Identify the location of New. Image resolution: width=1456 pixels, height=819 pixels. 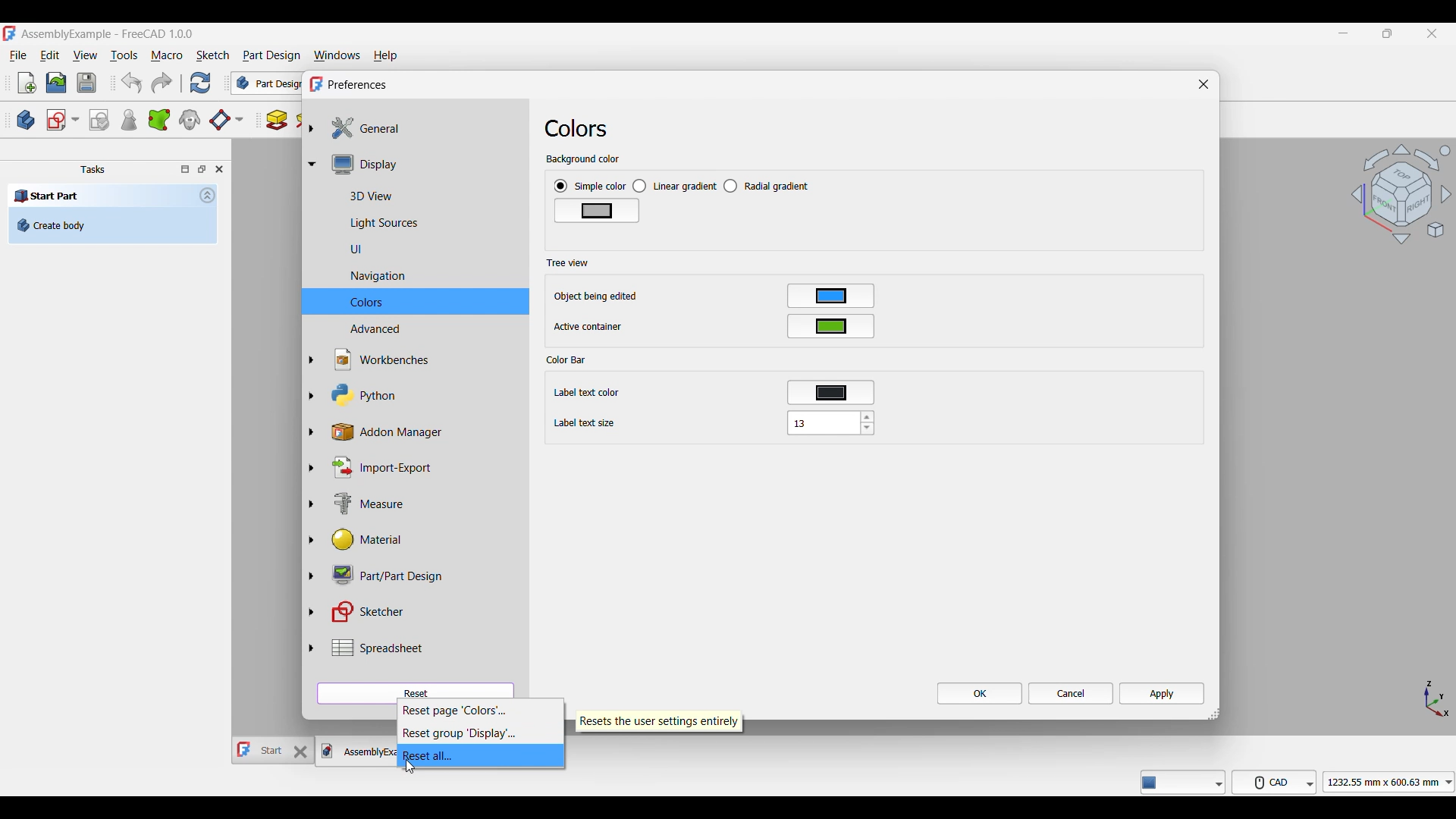
(27, 83).